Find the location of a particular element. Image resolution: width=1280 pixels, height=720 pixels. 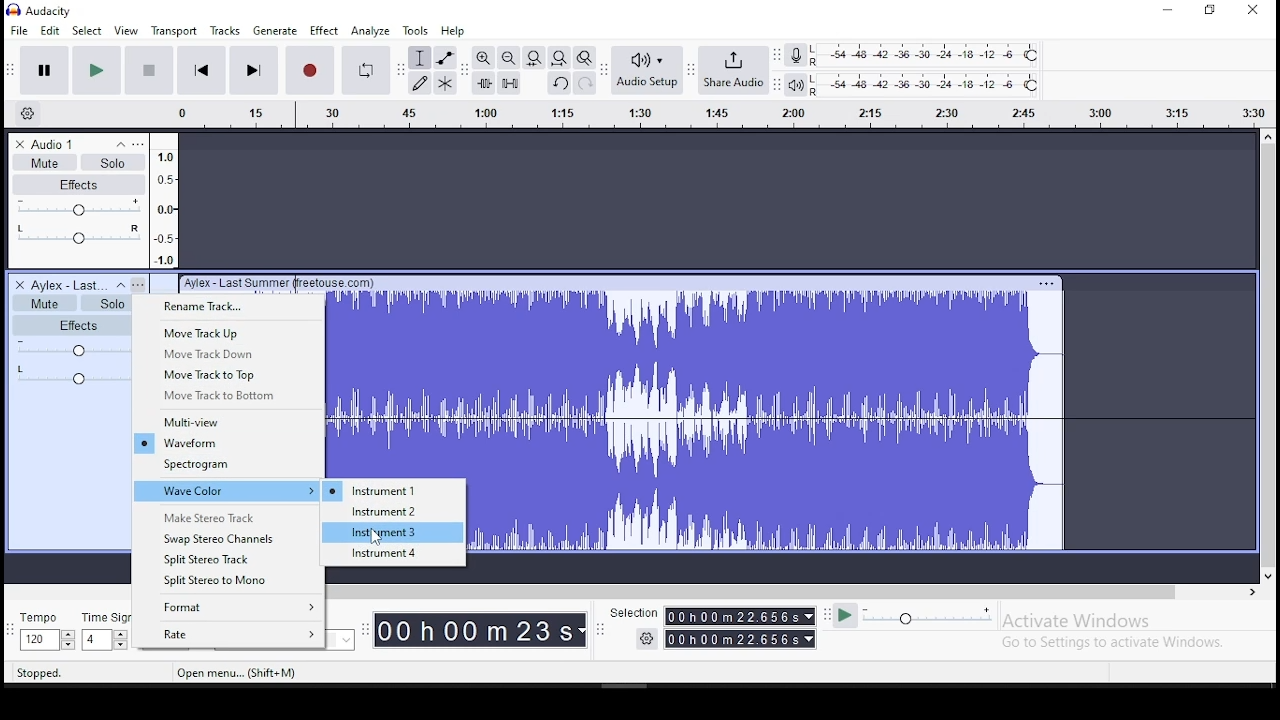

rate is located at coordinates (227, 634).